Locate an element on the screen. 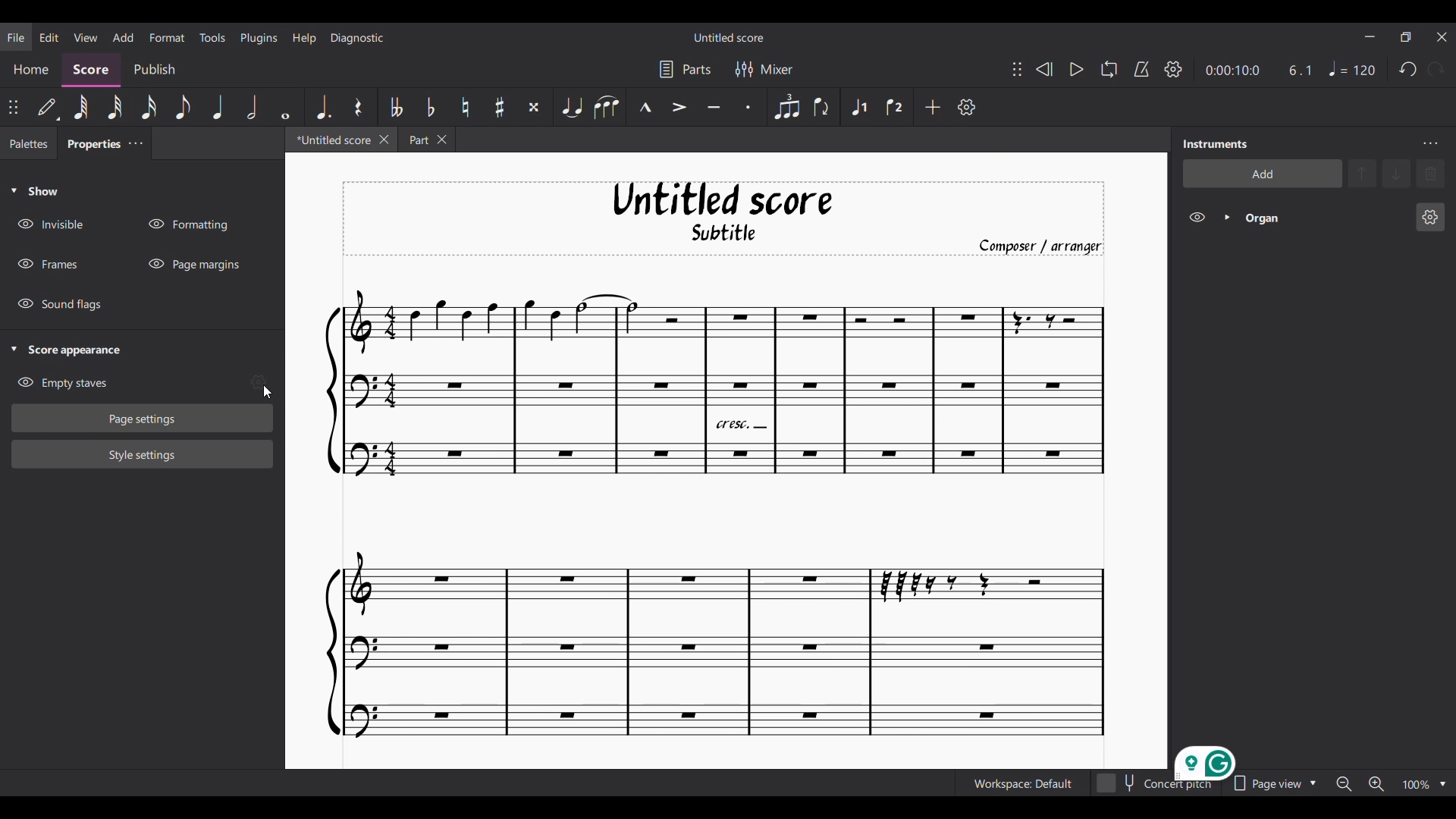 The image size is (1456, 819). Tenuto is located at coordinates (715, 107).